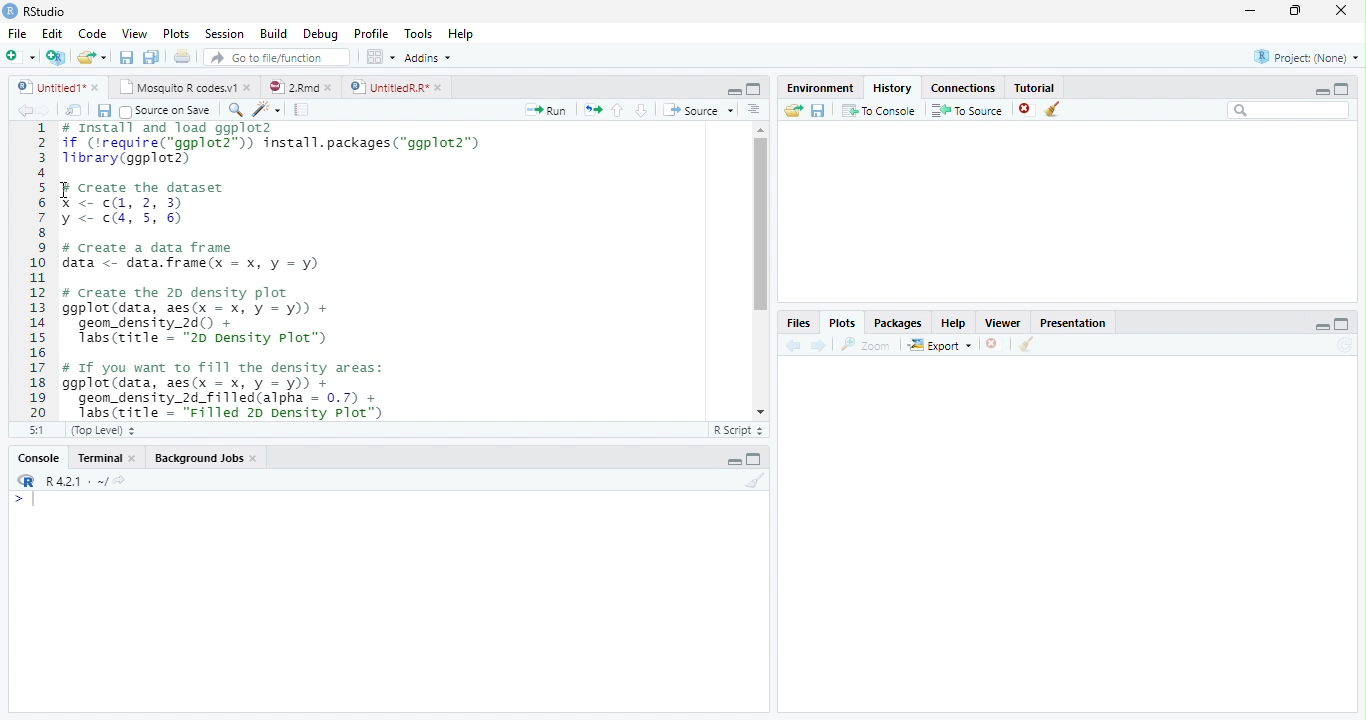 This screenshot has height=720, width=1366. What do you see at coordinates (292, 86) in the screenshot?
I see `2Rmd` at bounding box center [292, 86].